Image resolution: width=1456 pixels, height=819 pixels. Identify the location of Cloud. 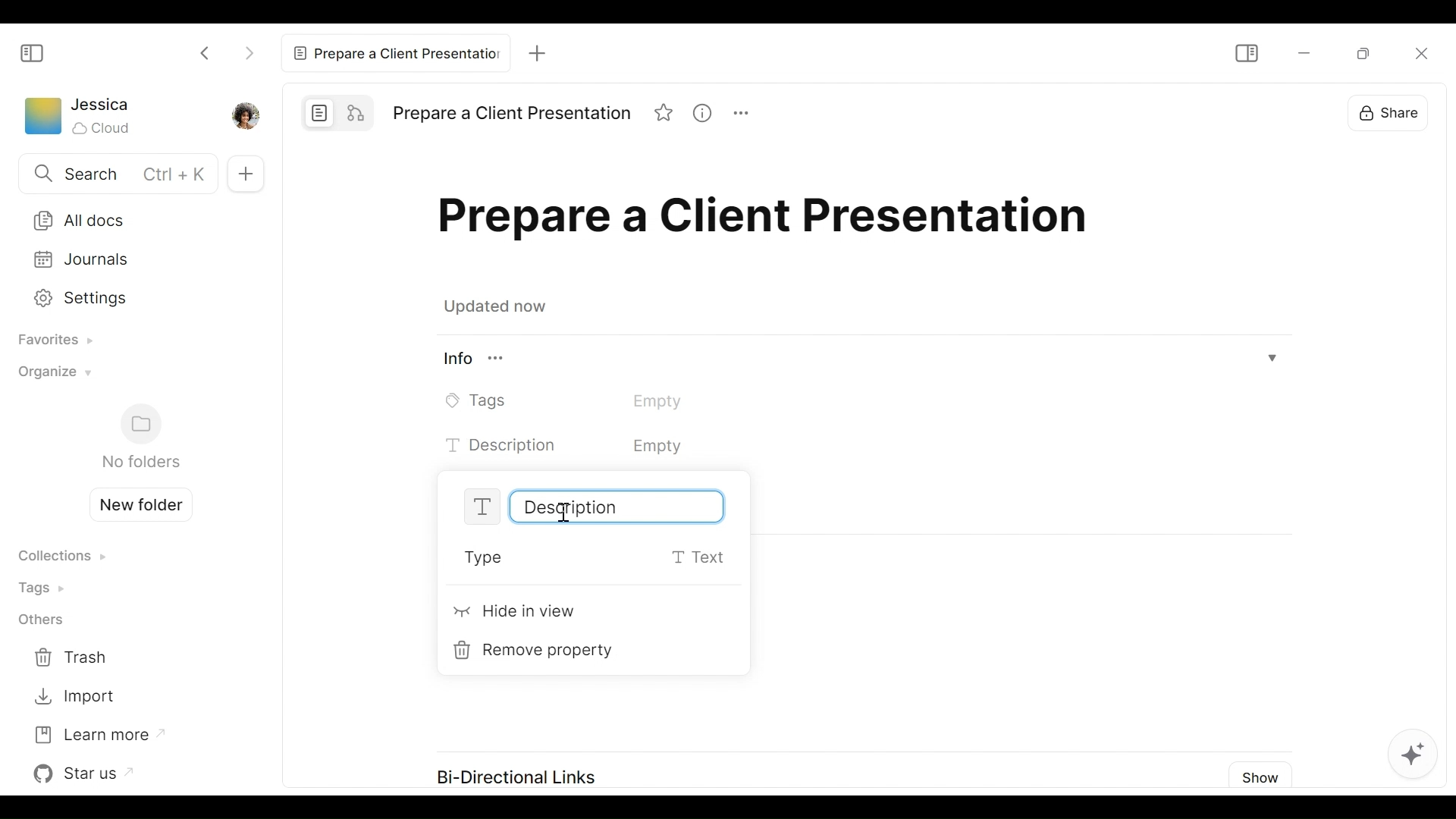
(103, 128).